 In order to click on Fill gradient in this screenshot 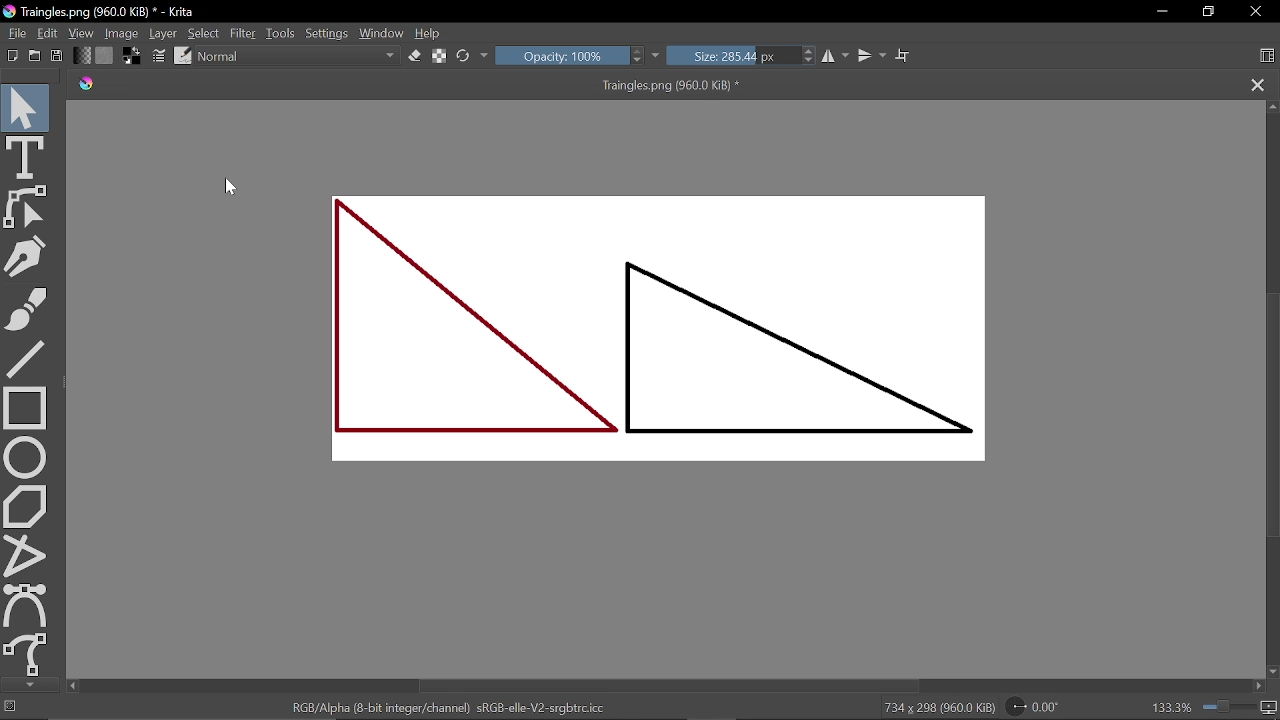, I will do `click(82, 56)`.